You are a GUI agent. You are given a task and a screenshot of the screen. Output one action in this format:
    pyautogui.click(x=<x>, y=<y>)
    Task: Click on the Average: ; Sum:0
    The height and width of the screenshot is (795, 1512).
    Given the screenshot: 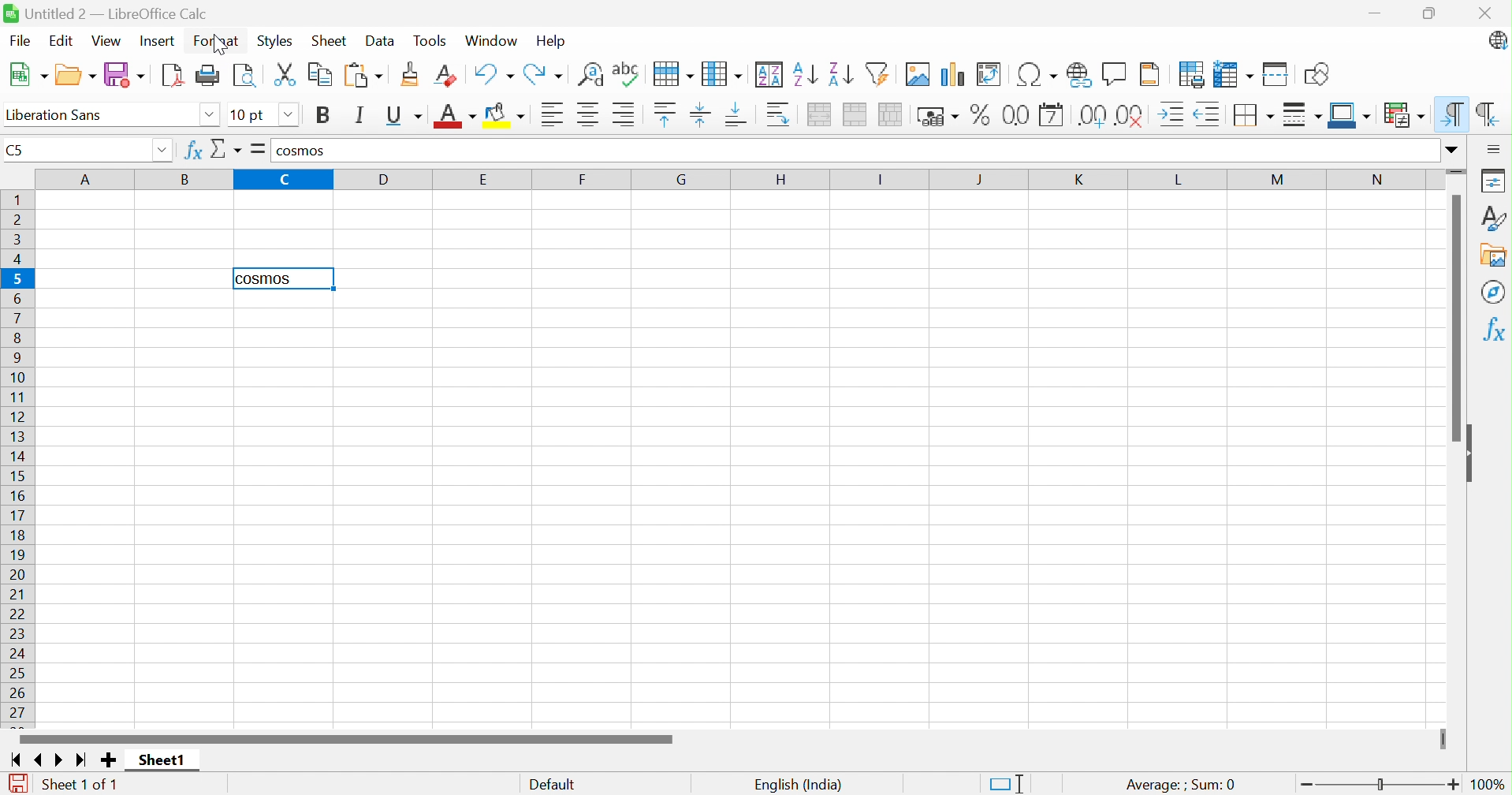 What is the action you would take?
    pyautogui.click(x=1179, y=784)
    